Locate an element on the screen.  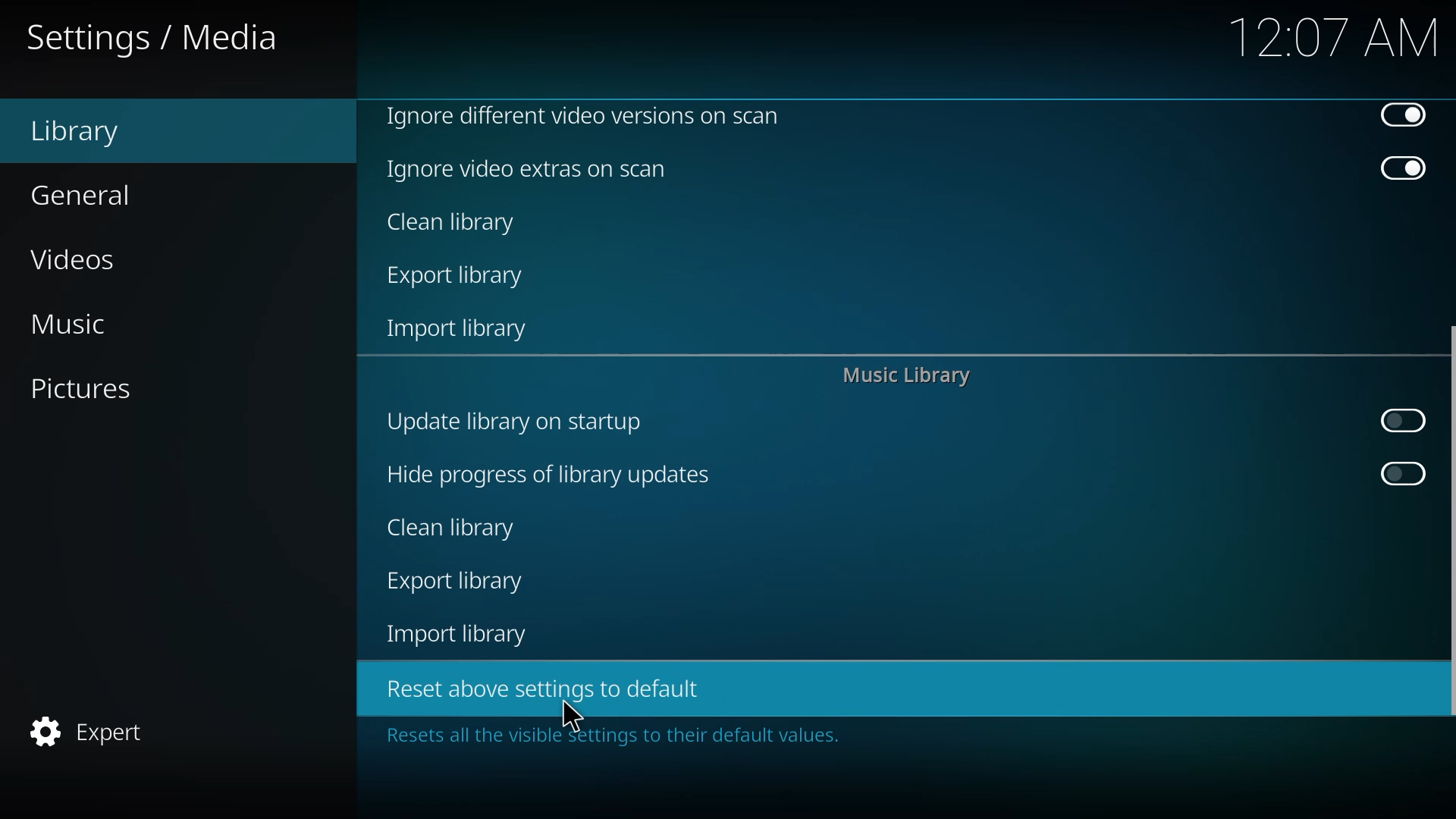
settings media is located at coordinates (155, 39).